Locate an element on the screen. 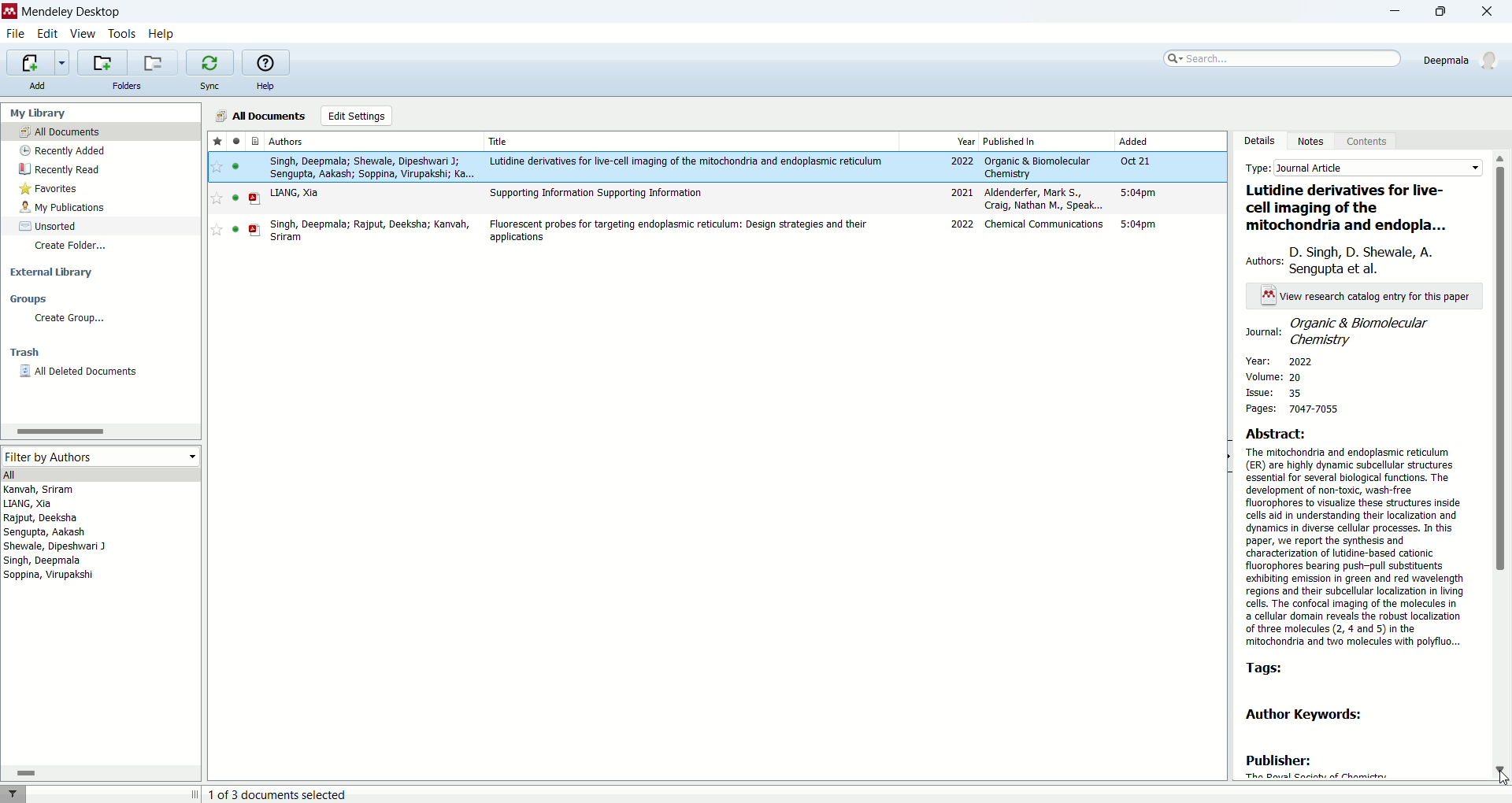  recently read is located at coordinates (59, 169).